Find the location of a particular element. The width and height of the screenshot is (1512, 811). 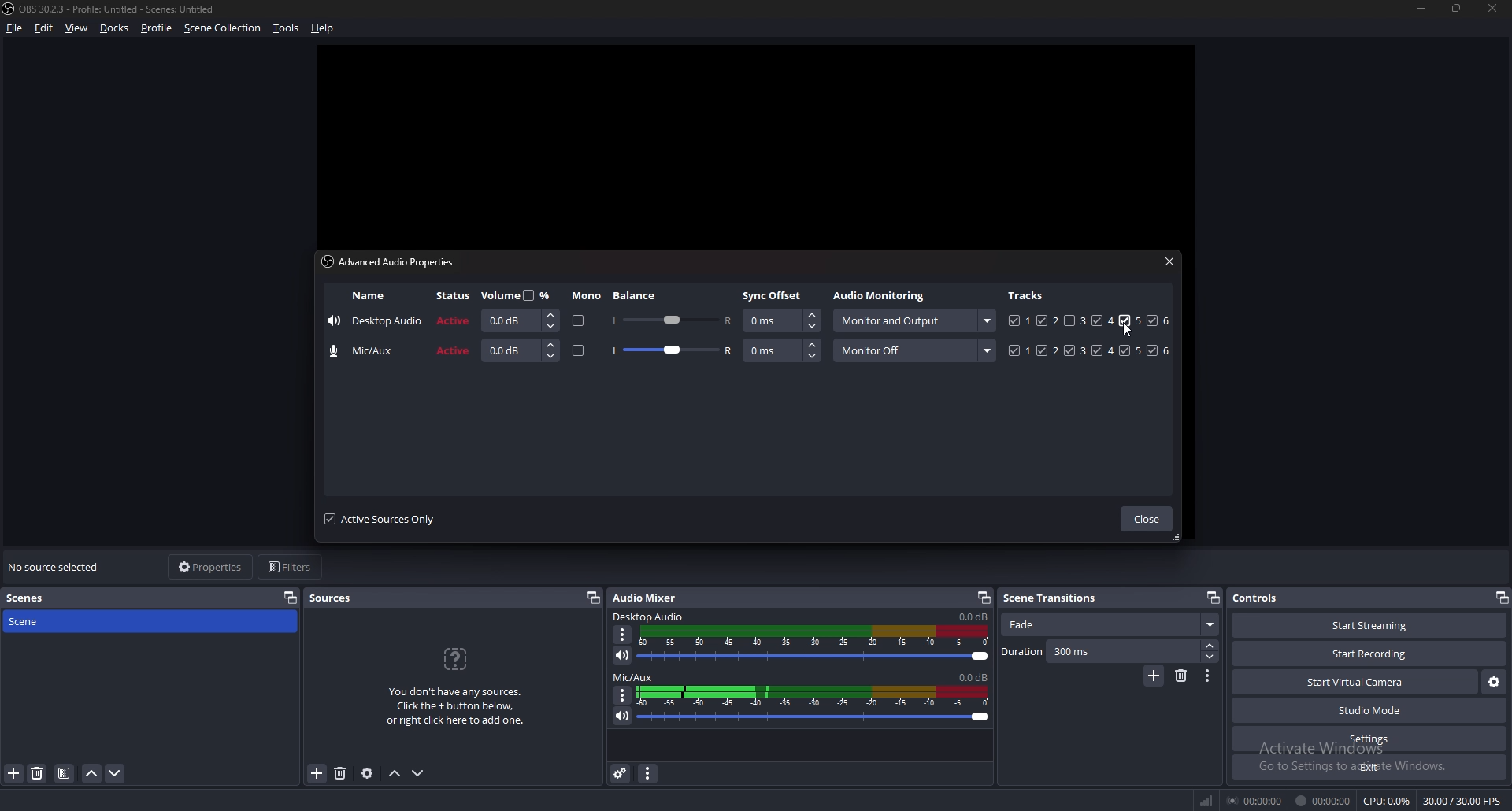

volume input is located at coordinates (517, 320).